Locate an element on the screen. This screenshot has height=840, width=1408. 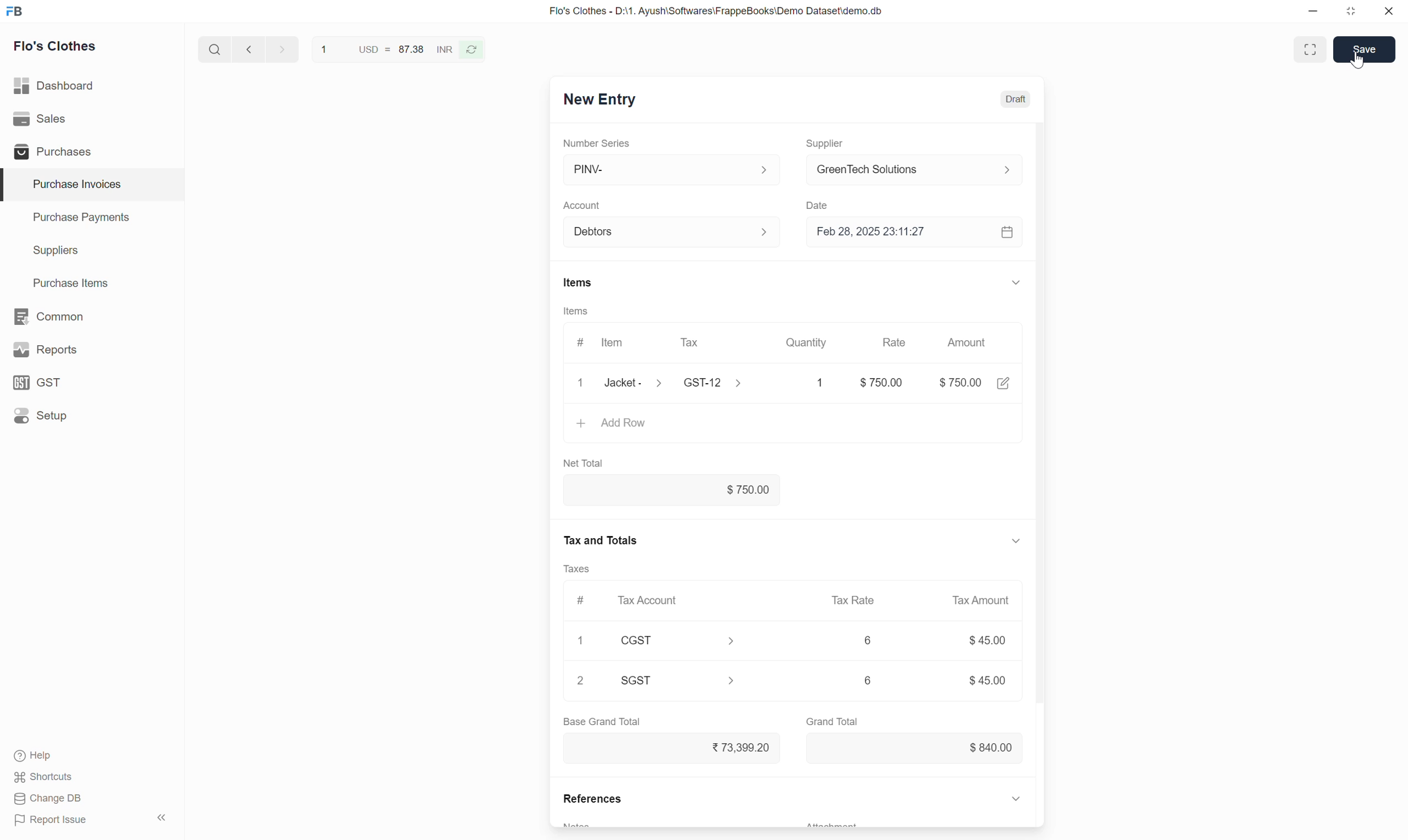
Flo's Clothes is located at coordinates (55, 46).